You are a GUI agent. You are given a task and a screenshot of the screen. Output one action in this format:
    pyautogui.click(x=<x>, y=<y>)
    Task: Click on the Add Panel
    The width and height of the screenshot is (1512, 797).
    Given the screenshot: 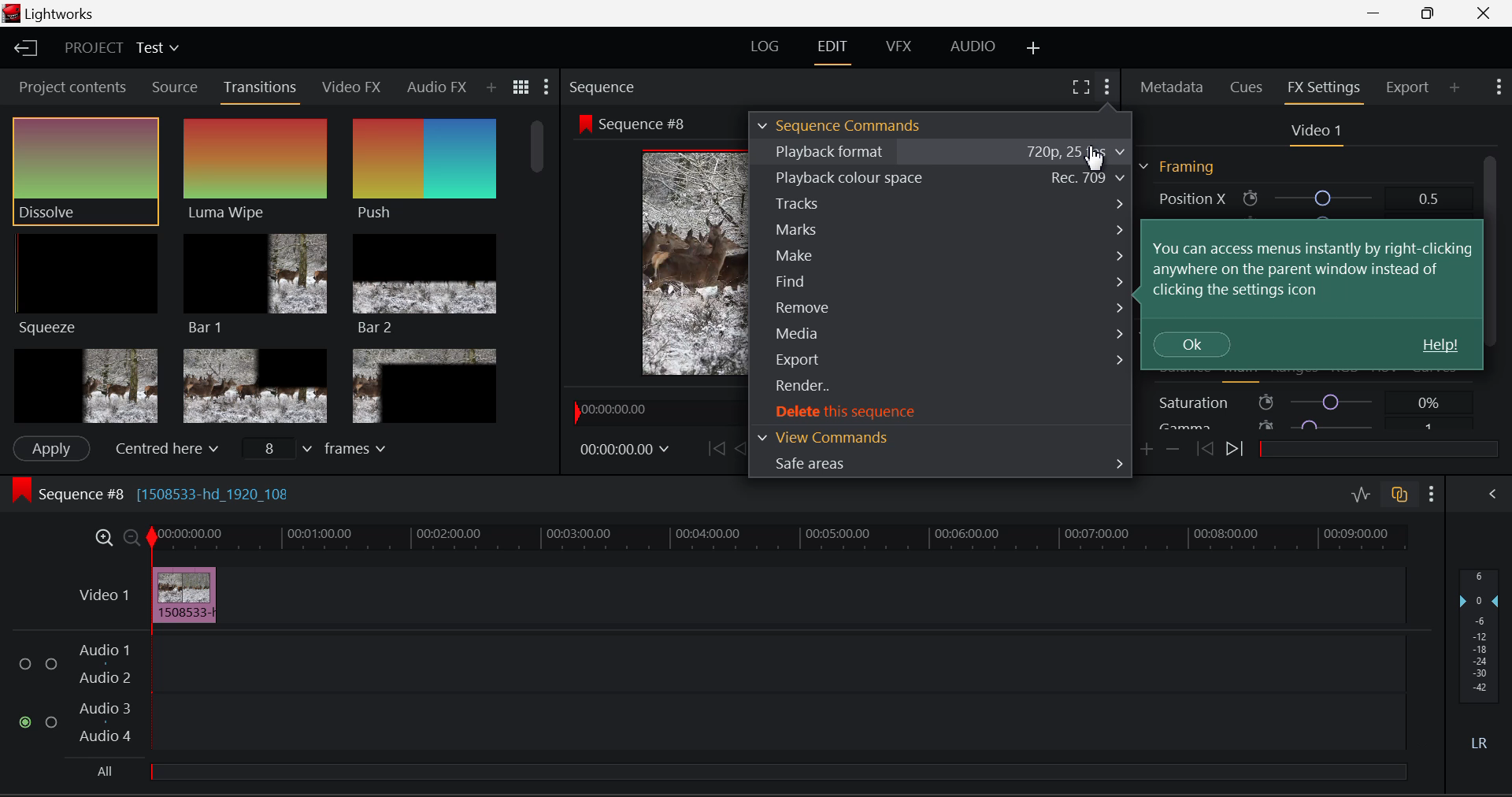 What is the action you would take?
    pyautogui.click(x=1456, y=88)
    